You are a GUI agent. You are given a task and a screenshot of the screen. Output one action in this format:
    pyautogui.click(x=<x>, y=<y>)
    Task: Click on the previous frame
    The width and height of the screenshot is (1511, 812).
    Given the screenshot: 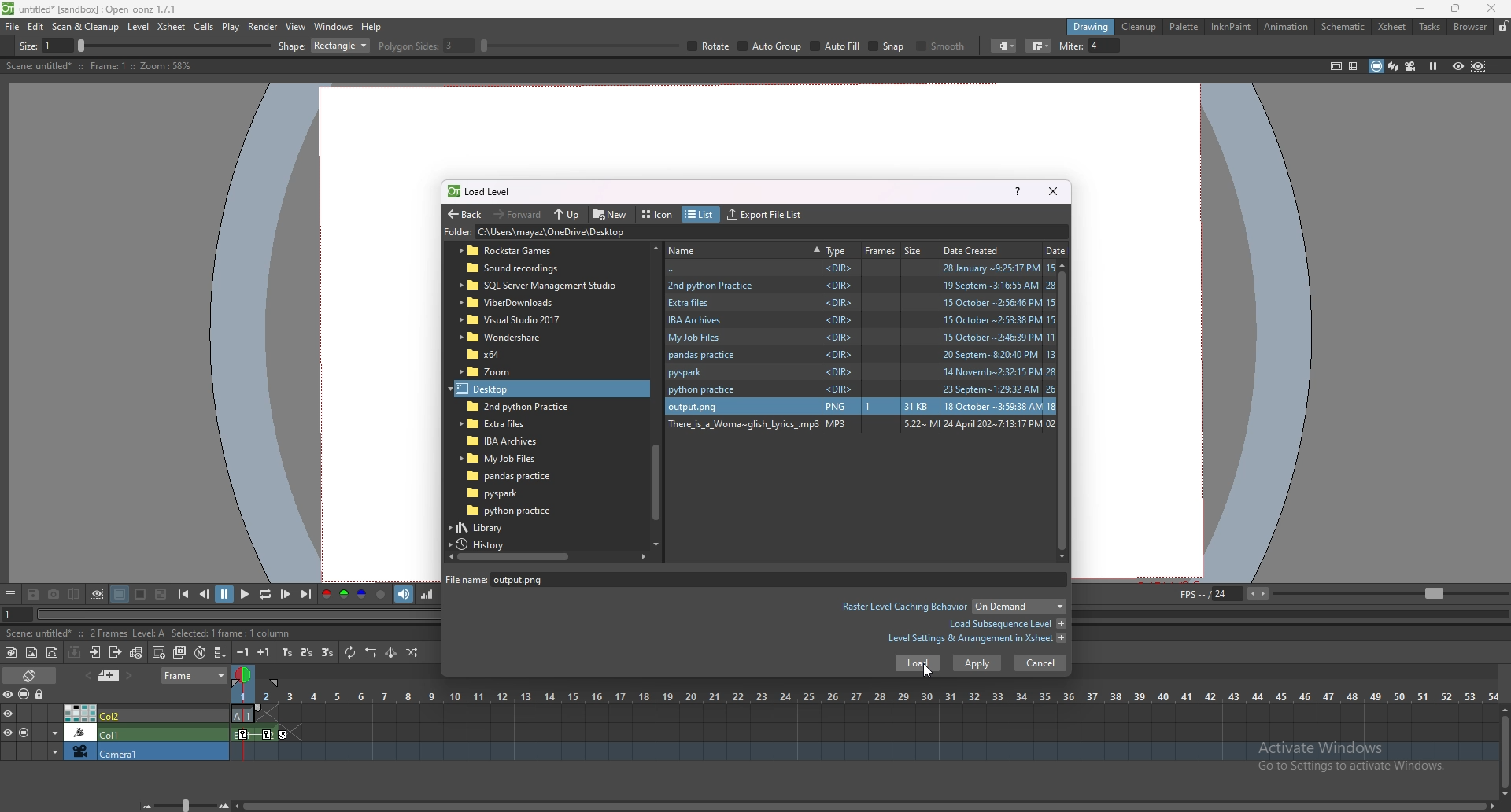 What is the action you would take?
    pyautogui.click(x=205, y=593)
    